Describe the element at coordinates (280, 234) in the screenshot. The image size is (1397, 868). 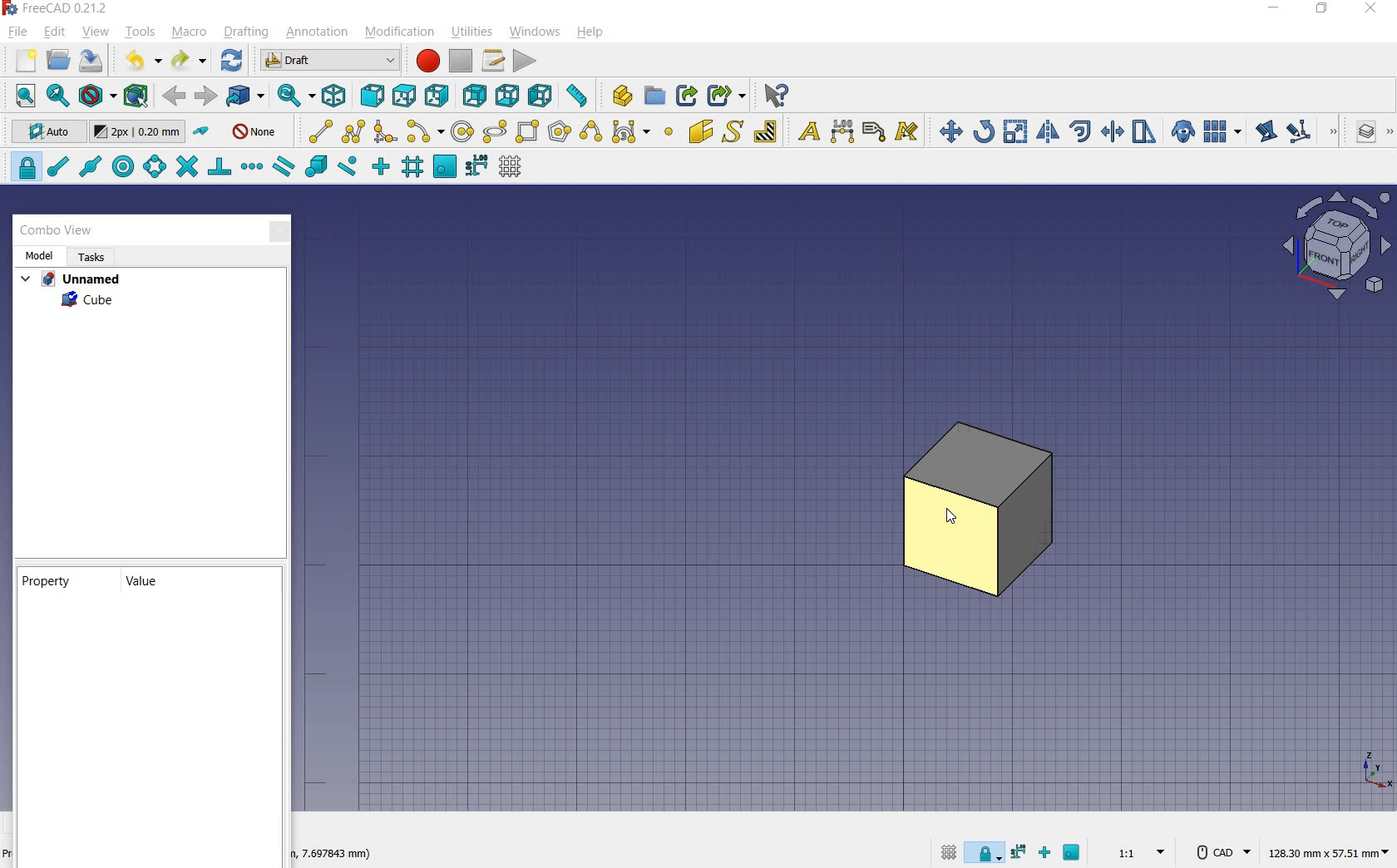
I see `close` at that location.